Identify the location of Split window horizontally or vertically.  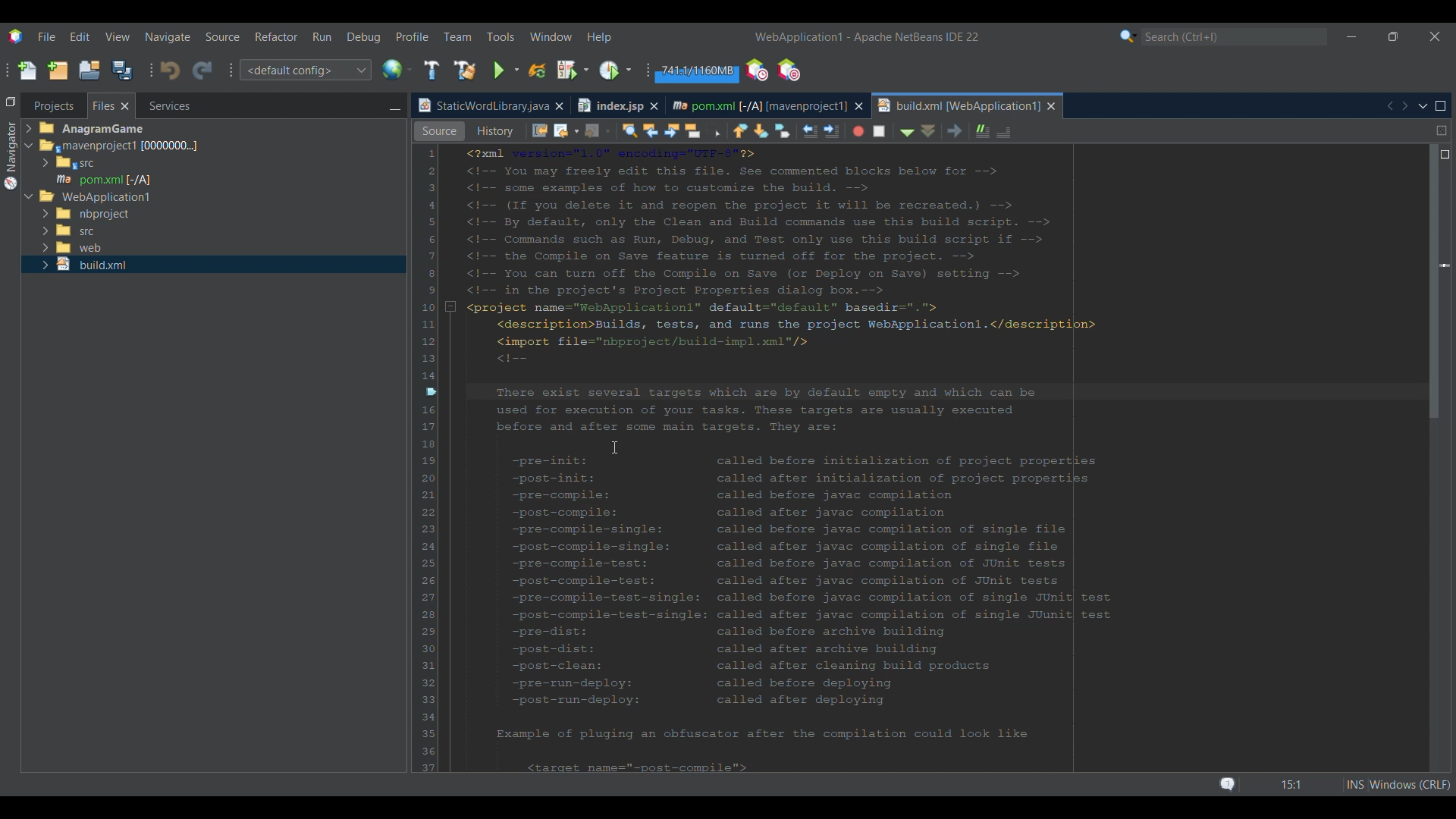
(1442, 130).